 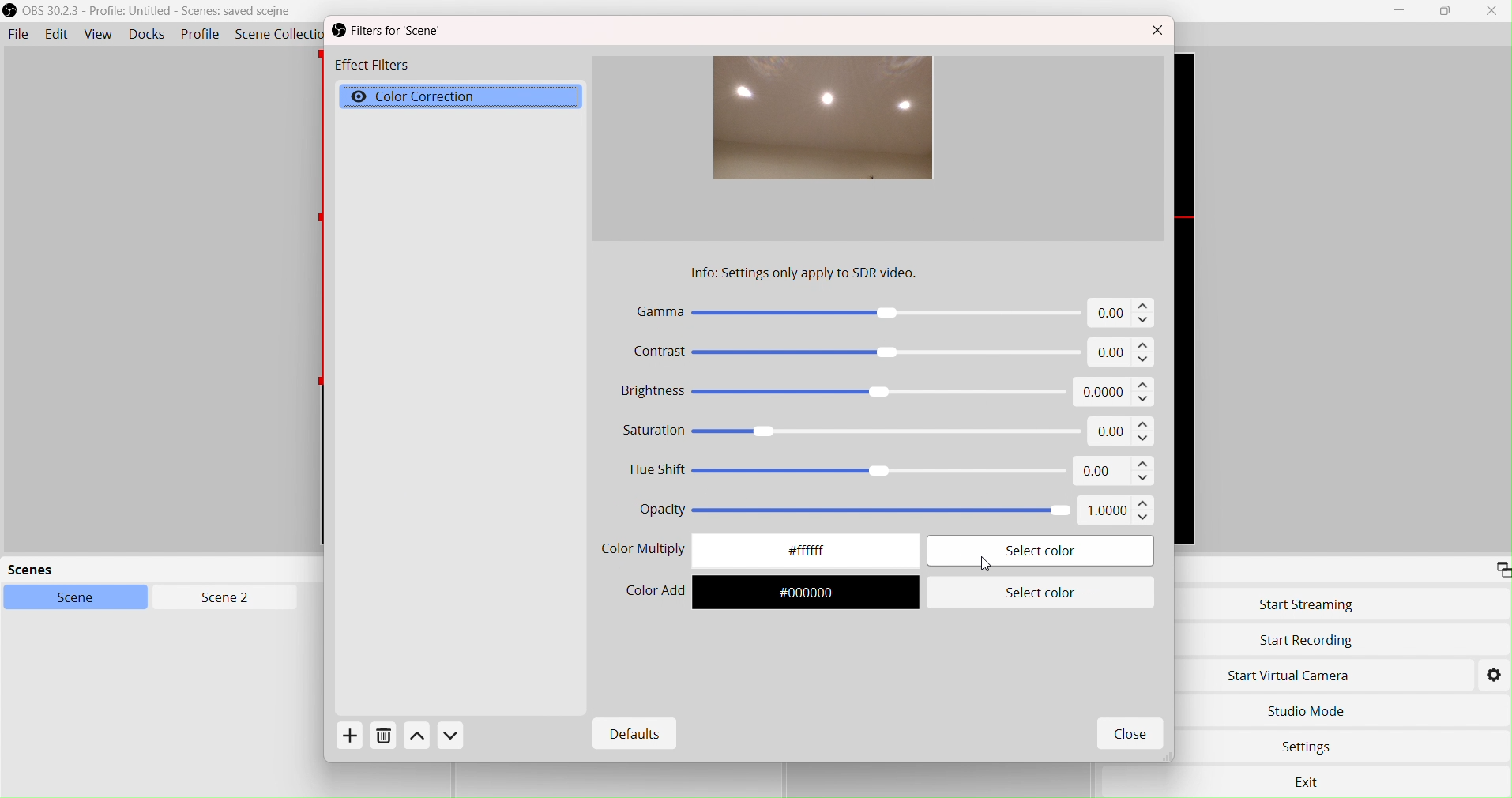 What do you see at coordinates (18, 35) in the screenshot?
I see `File` at bounding box center [18, 35].